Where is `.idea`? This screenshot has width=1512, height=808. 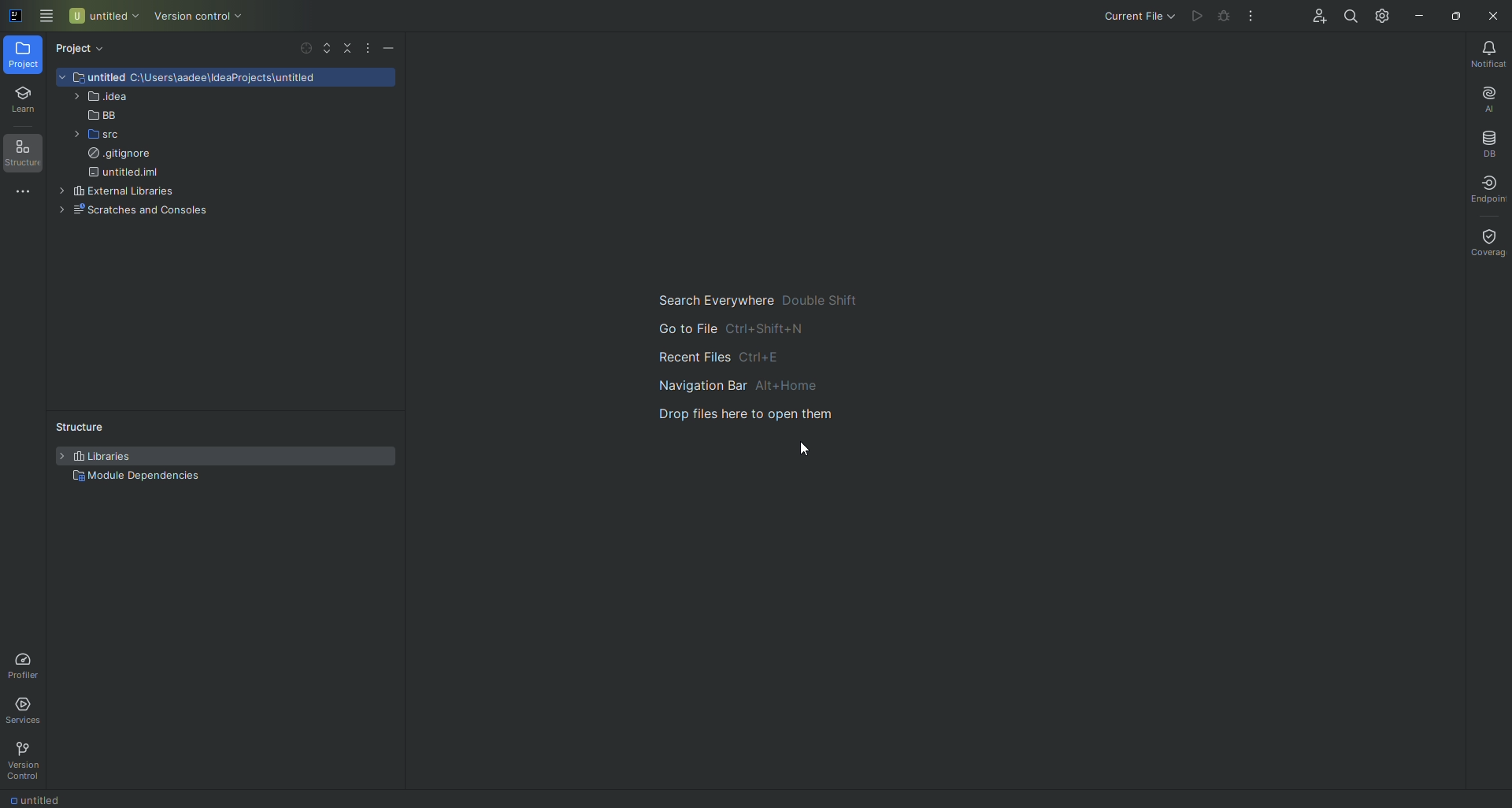
.idea is located at coordinates (100, 98).